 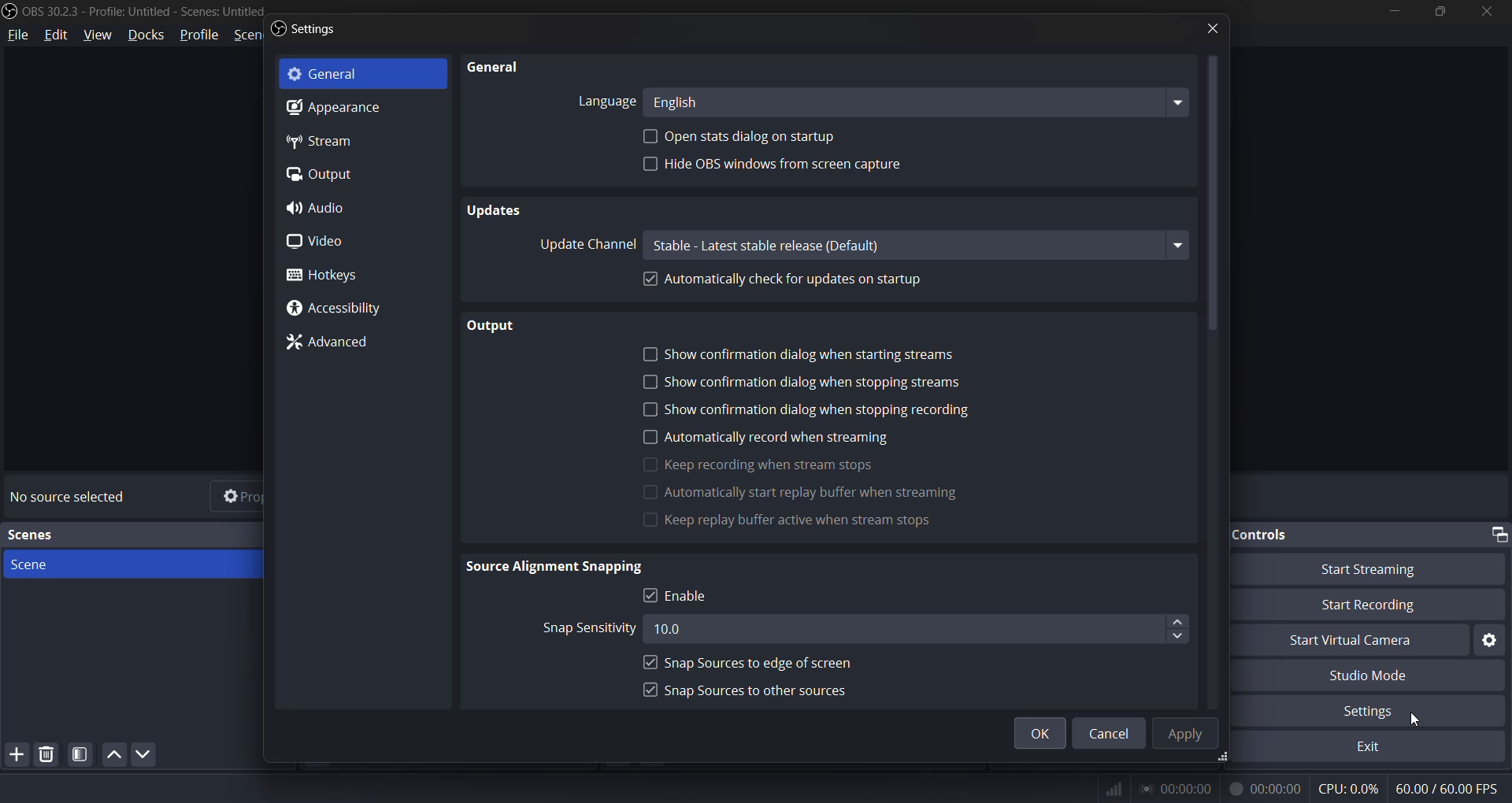 I want to click on start recording, so click(x=1373, y=609).